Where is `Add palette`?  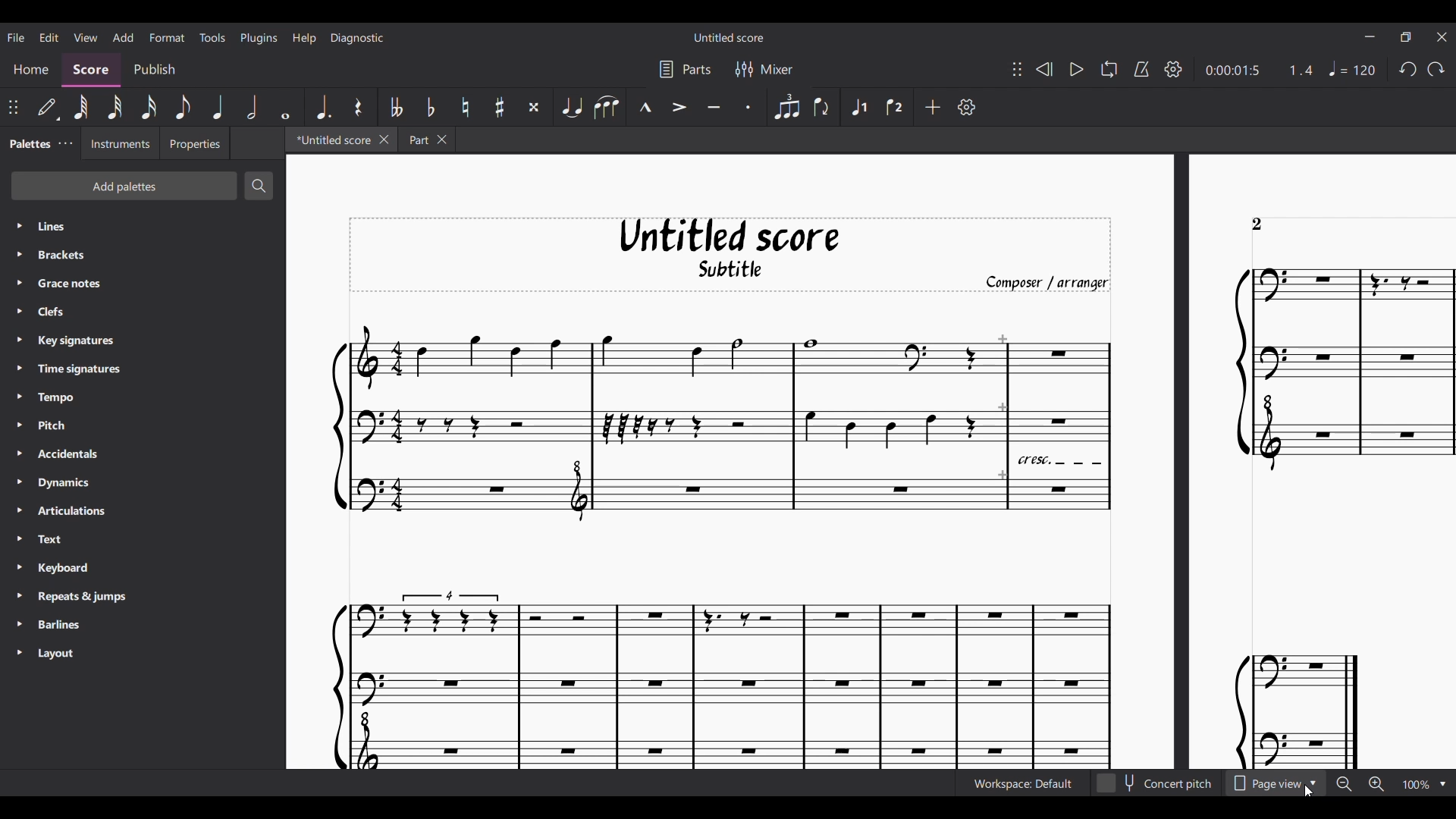 Add palette is located at coordinates (124, 186).